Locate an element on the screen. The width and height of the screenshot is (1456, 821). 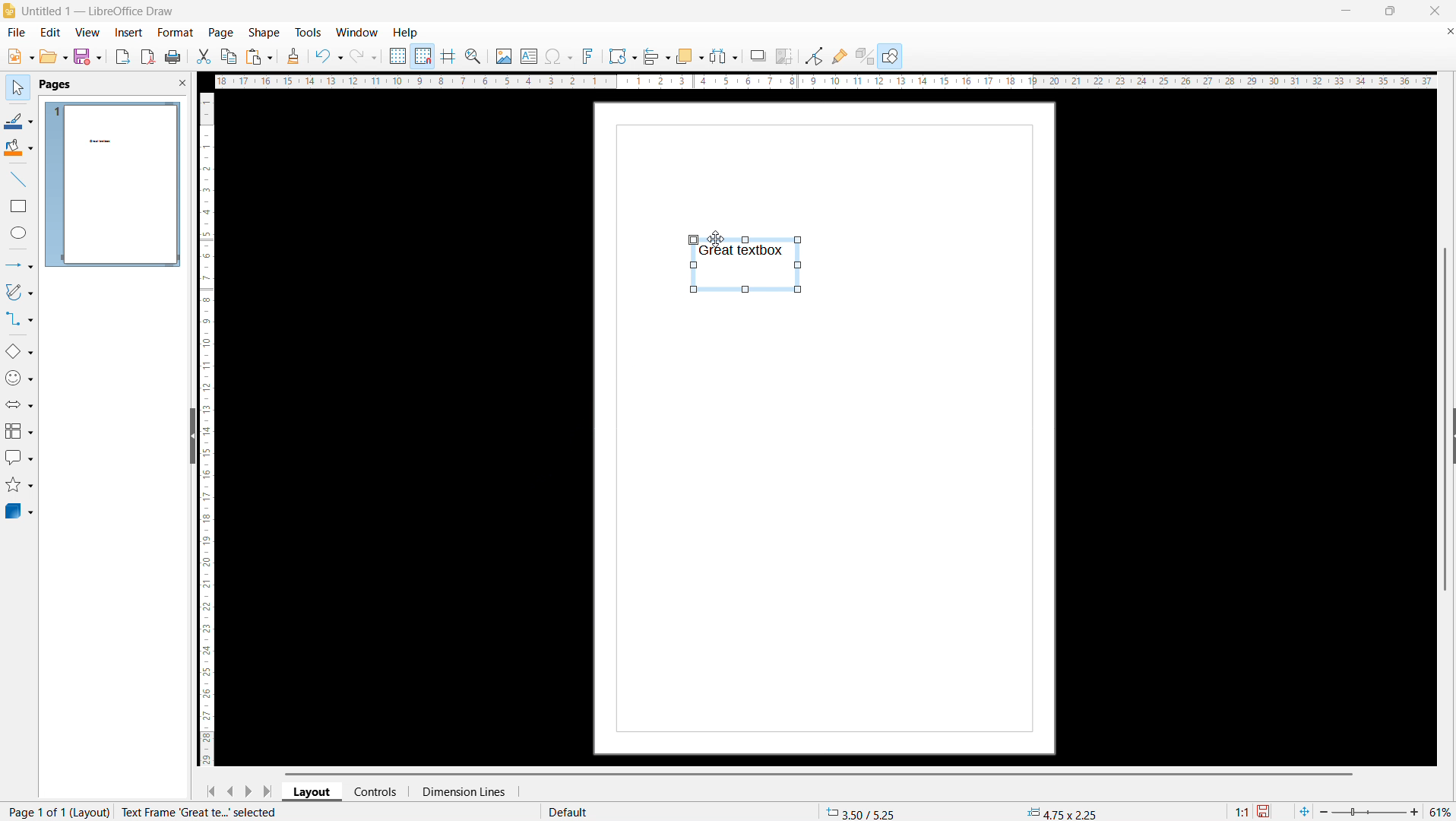
snap to grid is located at coordinates (423, 55).